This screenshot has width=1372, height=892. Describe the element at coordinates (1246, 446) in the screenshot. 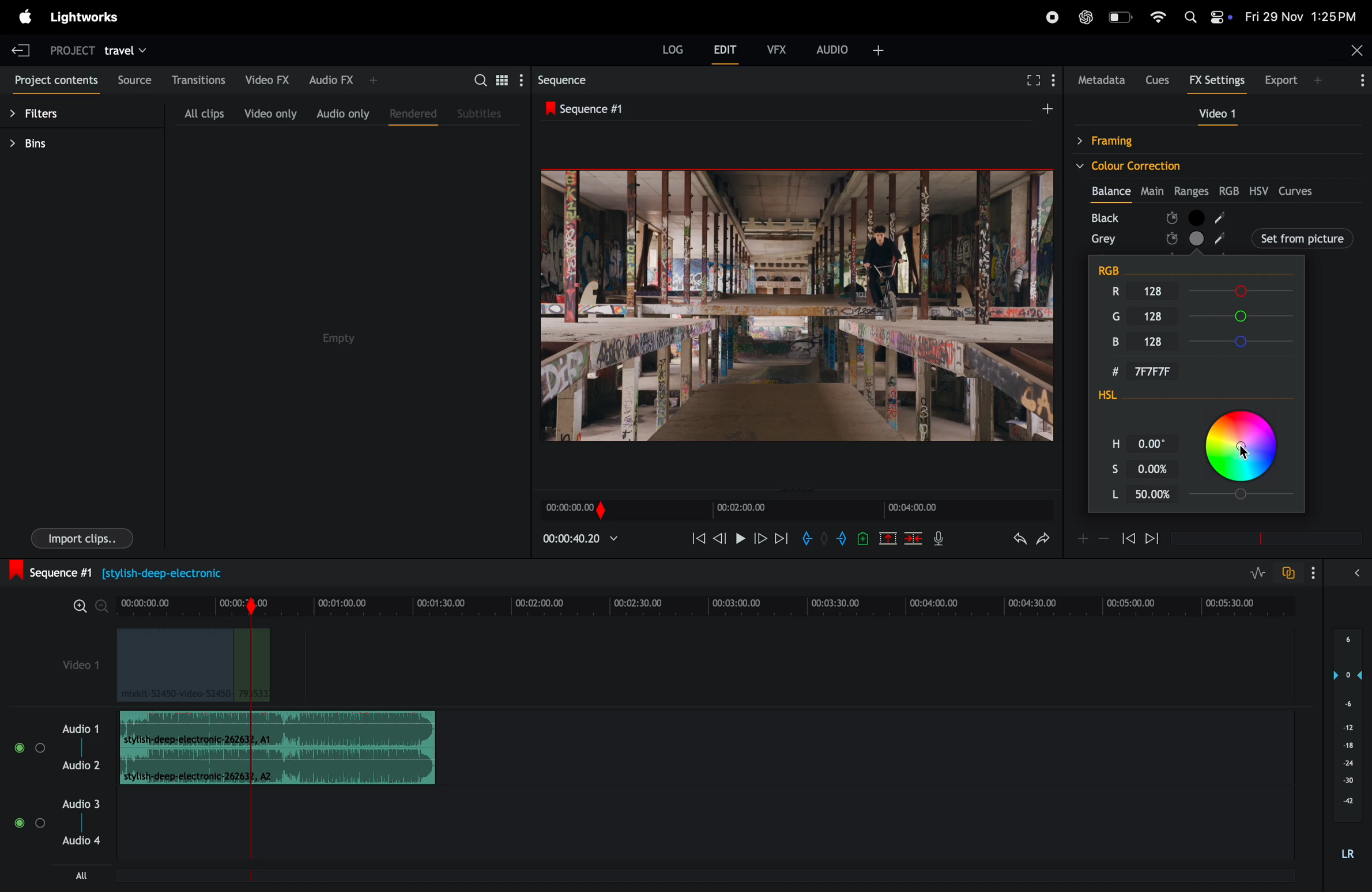

I see `Color Picker` at that location.